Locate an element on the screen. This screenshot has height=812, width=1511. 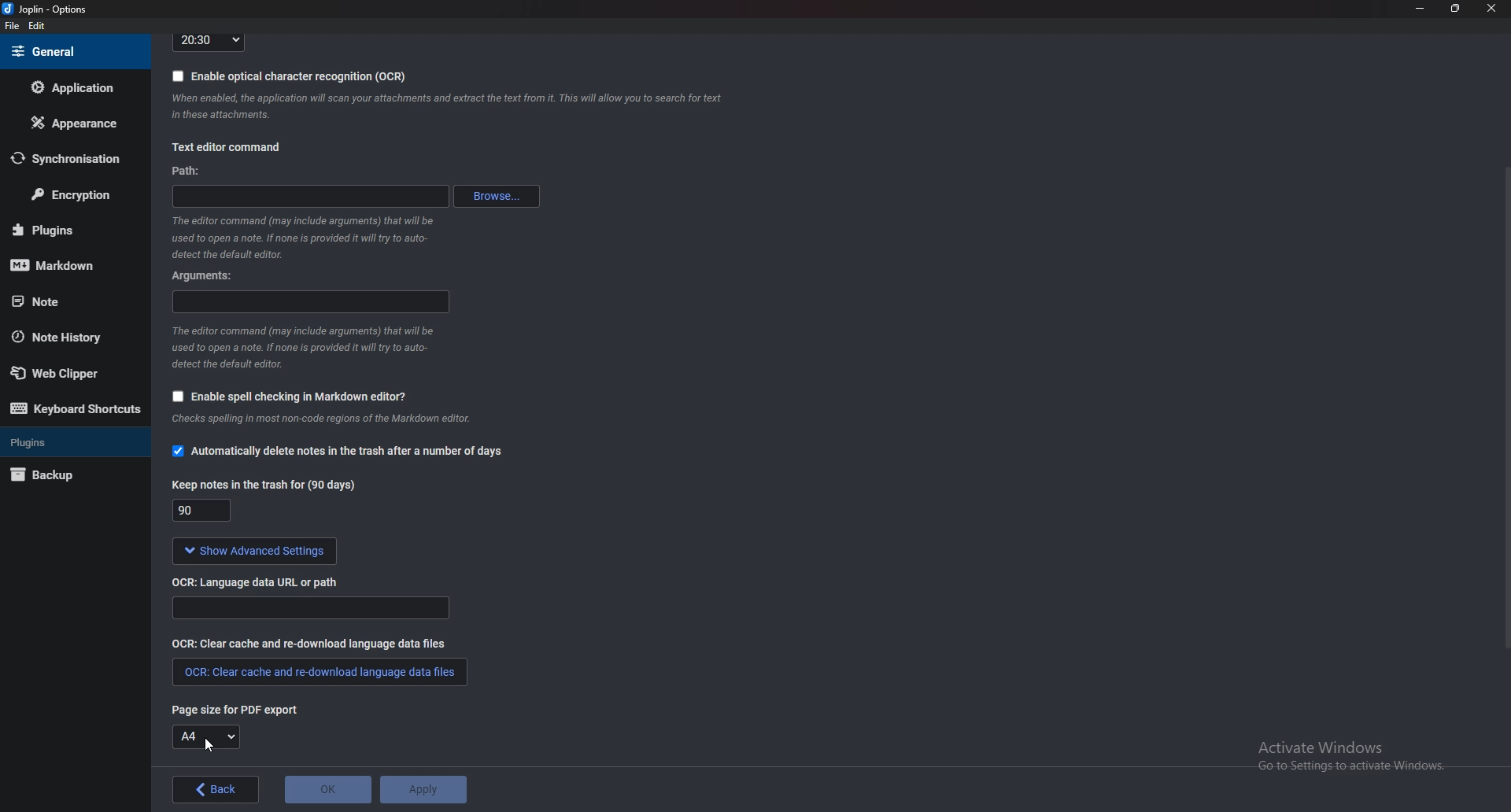
O C R is located at coordinates (262, 581).